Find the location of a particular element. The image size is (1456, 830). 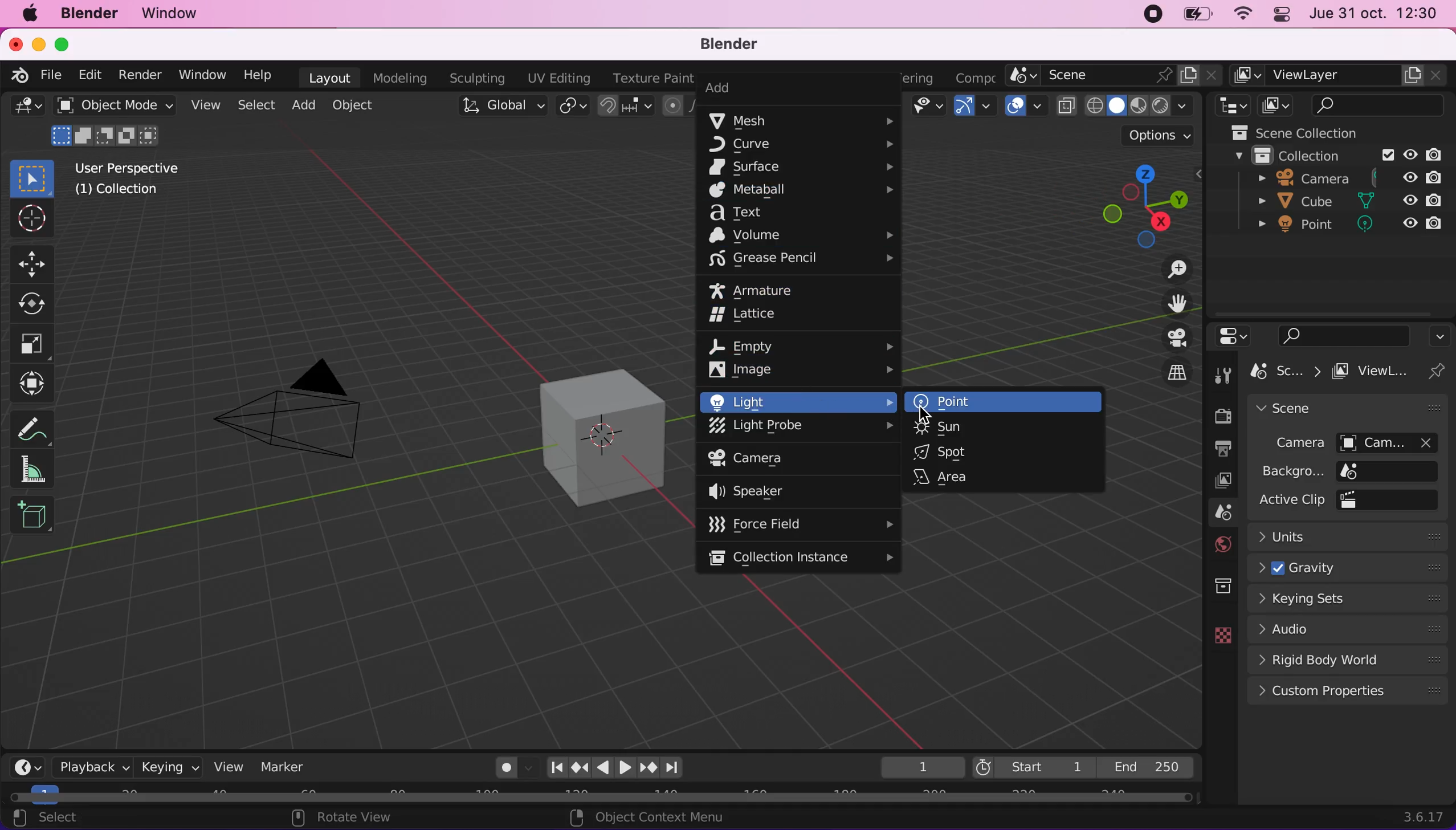

force field is located at coordinates (800, 524).